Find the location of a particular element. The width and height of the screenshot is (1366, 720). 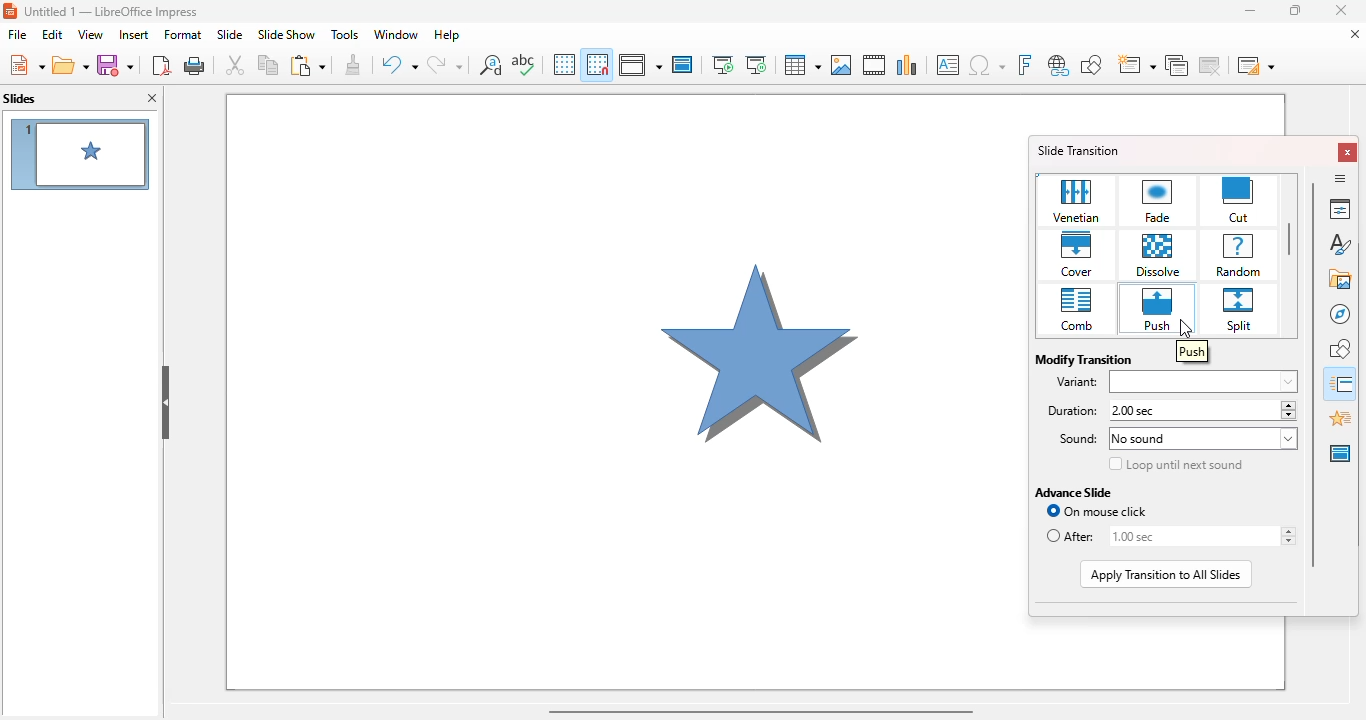

snap to grid is located at coordinates (598, 64).